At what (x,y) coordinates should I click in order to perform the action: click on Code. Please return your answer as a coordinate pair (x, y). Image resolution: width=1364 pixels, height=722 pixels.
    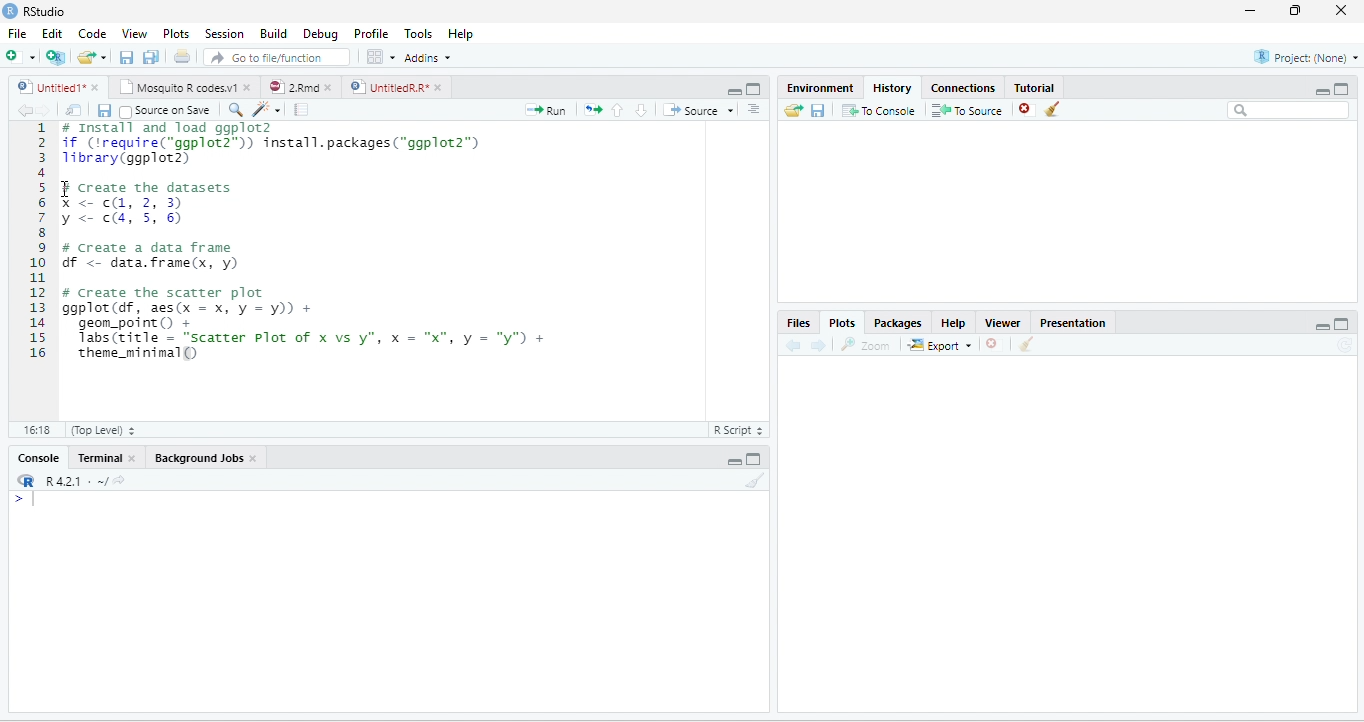
    Looking at the image, I should click on (91, 33).